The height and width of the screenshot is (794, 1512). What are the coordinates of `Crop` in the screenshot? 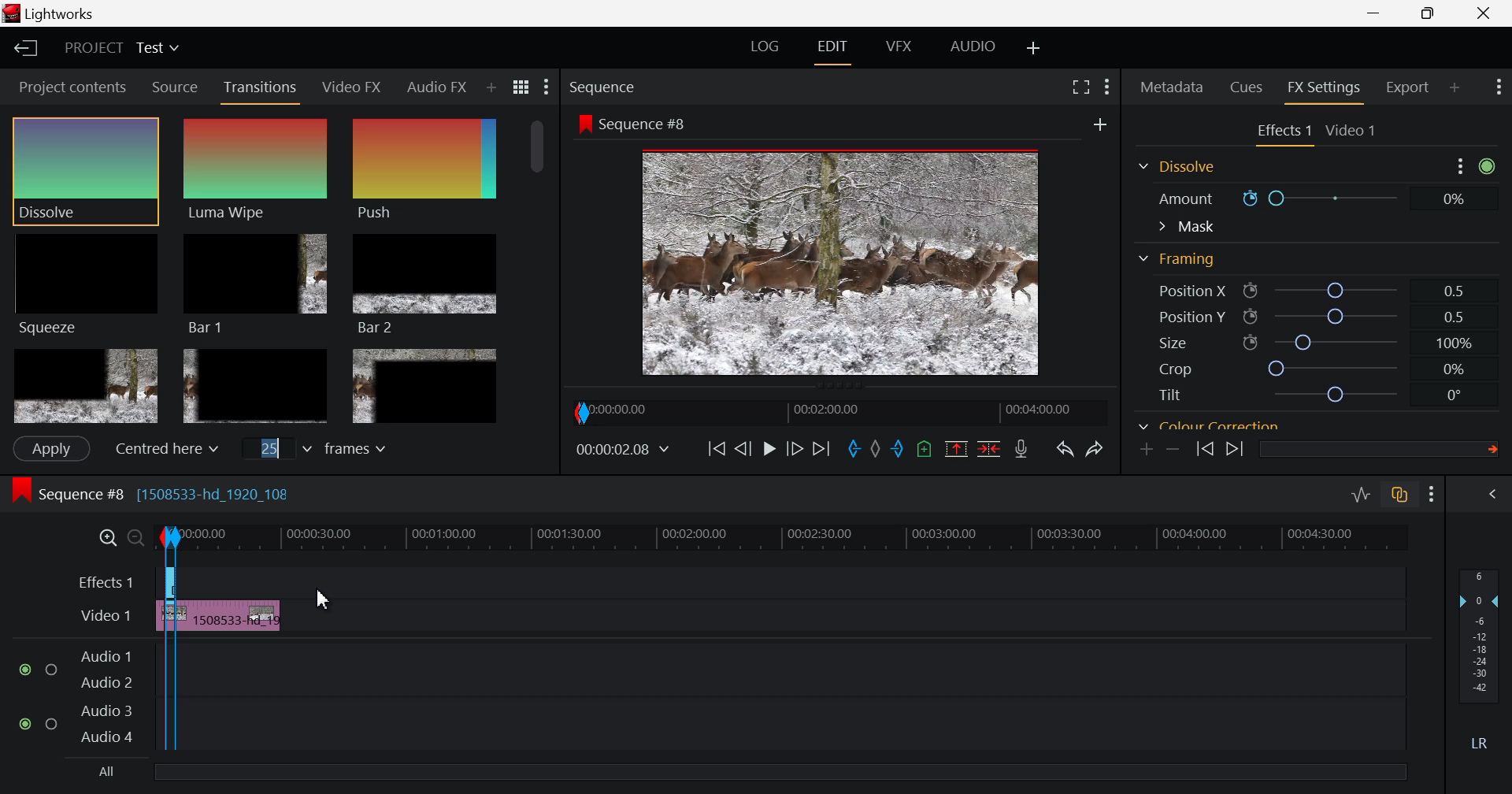 It's located at (1300, 276).